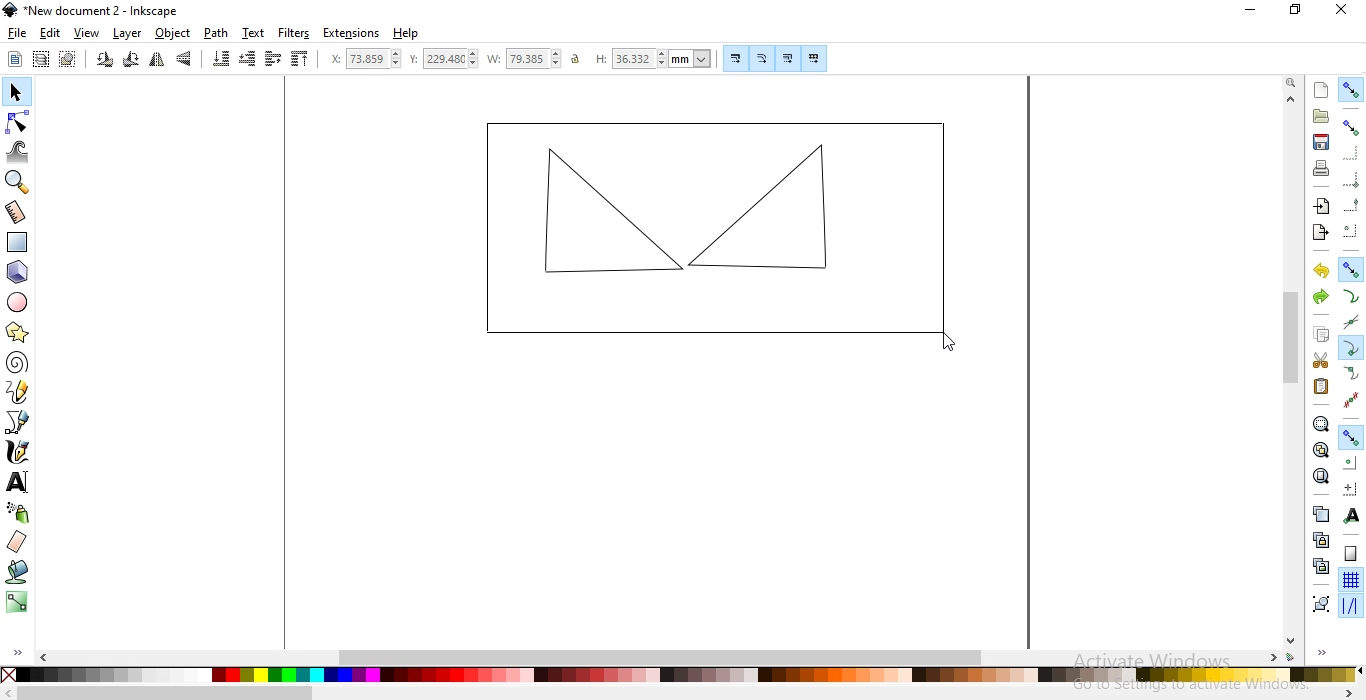  Describe the element at coordinates (15, 602) in the screenshot. I see `create and edit gradients` at that location.